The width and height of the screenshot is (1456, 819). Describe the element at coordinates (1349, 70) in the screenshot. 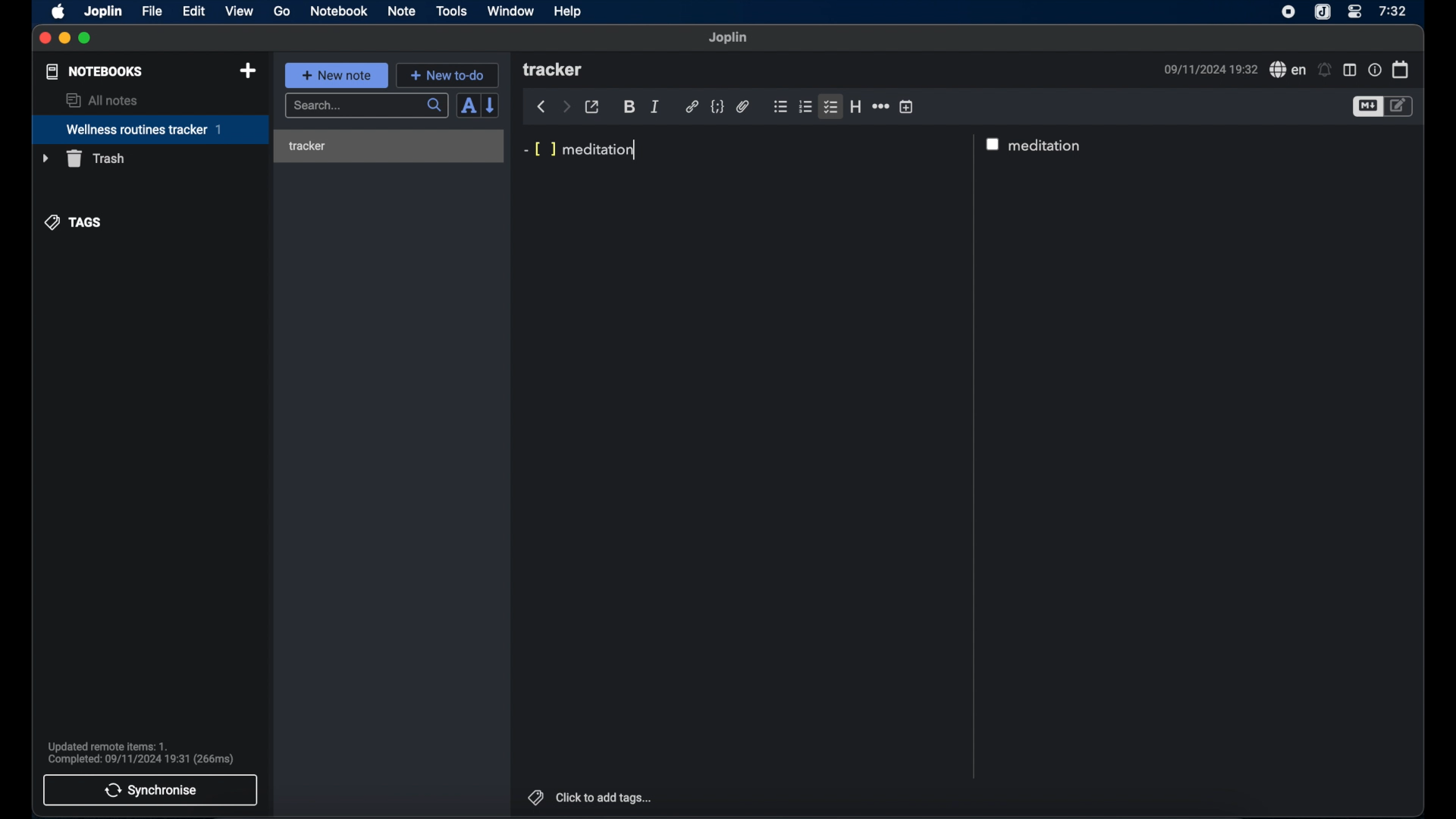

I see `toggle editor layout` at that location.